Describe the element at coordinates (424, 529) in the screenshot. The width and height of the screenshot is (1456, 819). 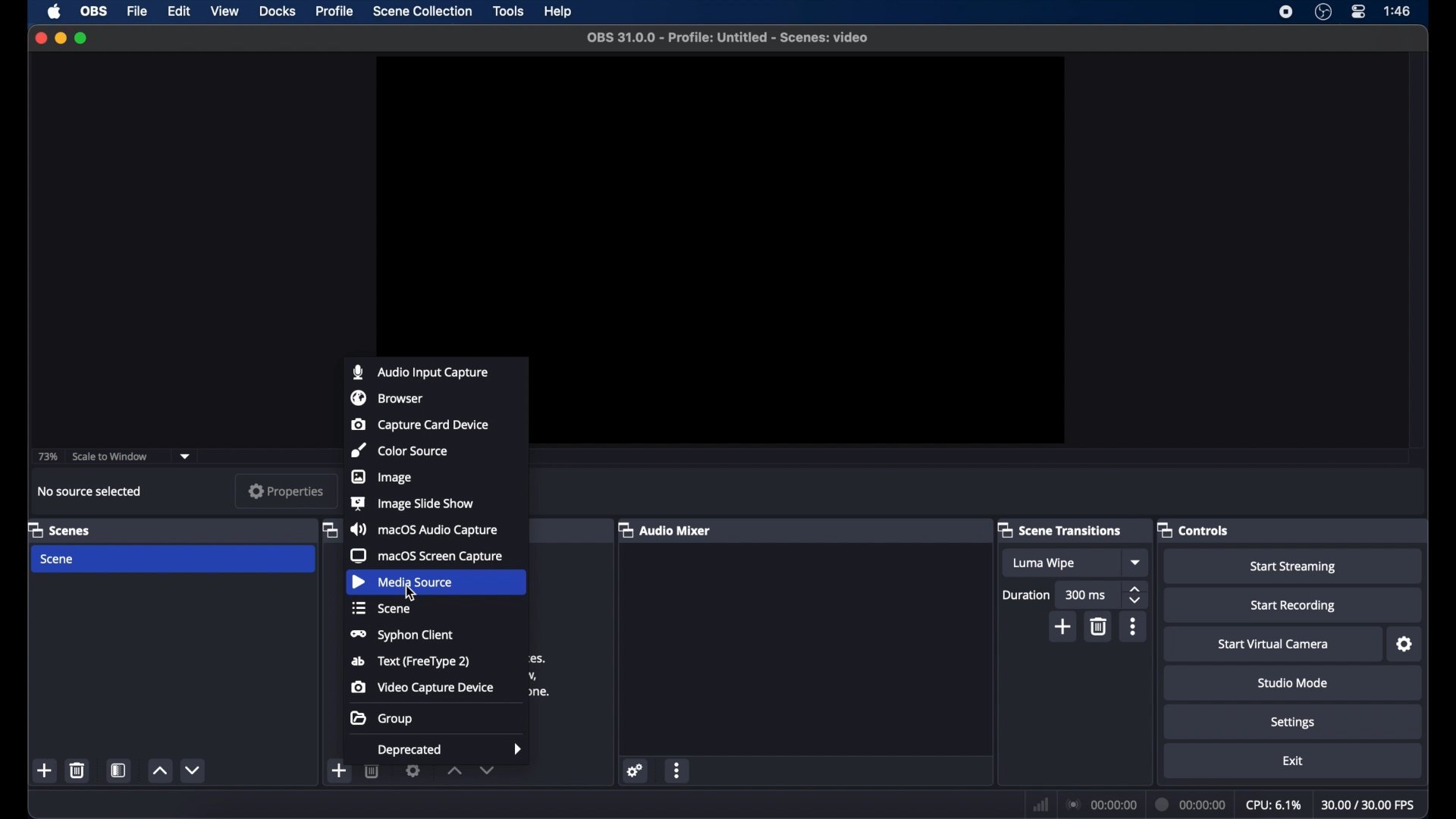
I see `macOS audio capture` at that location.